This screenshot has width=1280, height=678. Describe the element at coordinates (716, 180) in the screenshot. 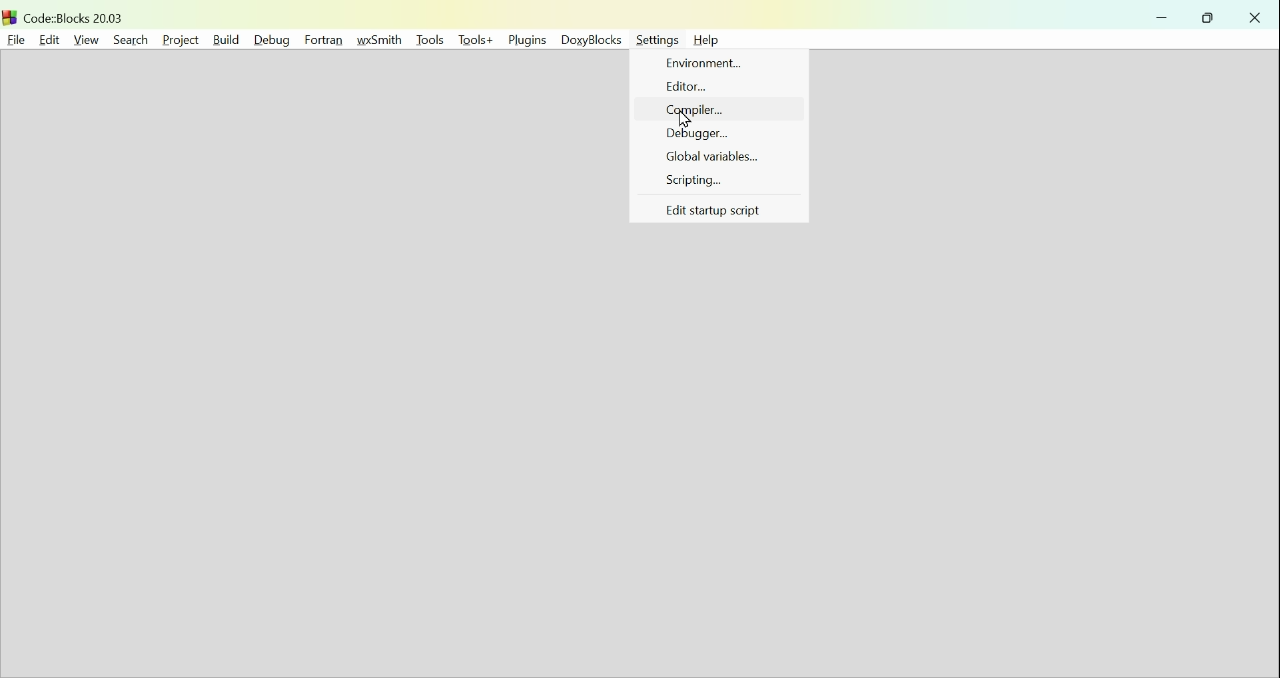

I see `Scripting` at that location.